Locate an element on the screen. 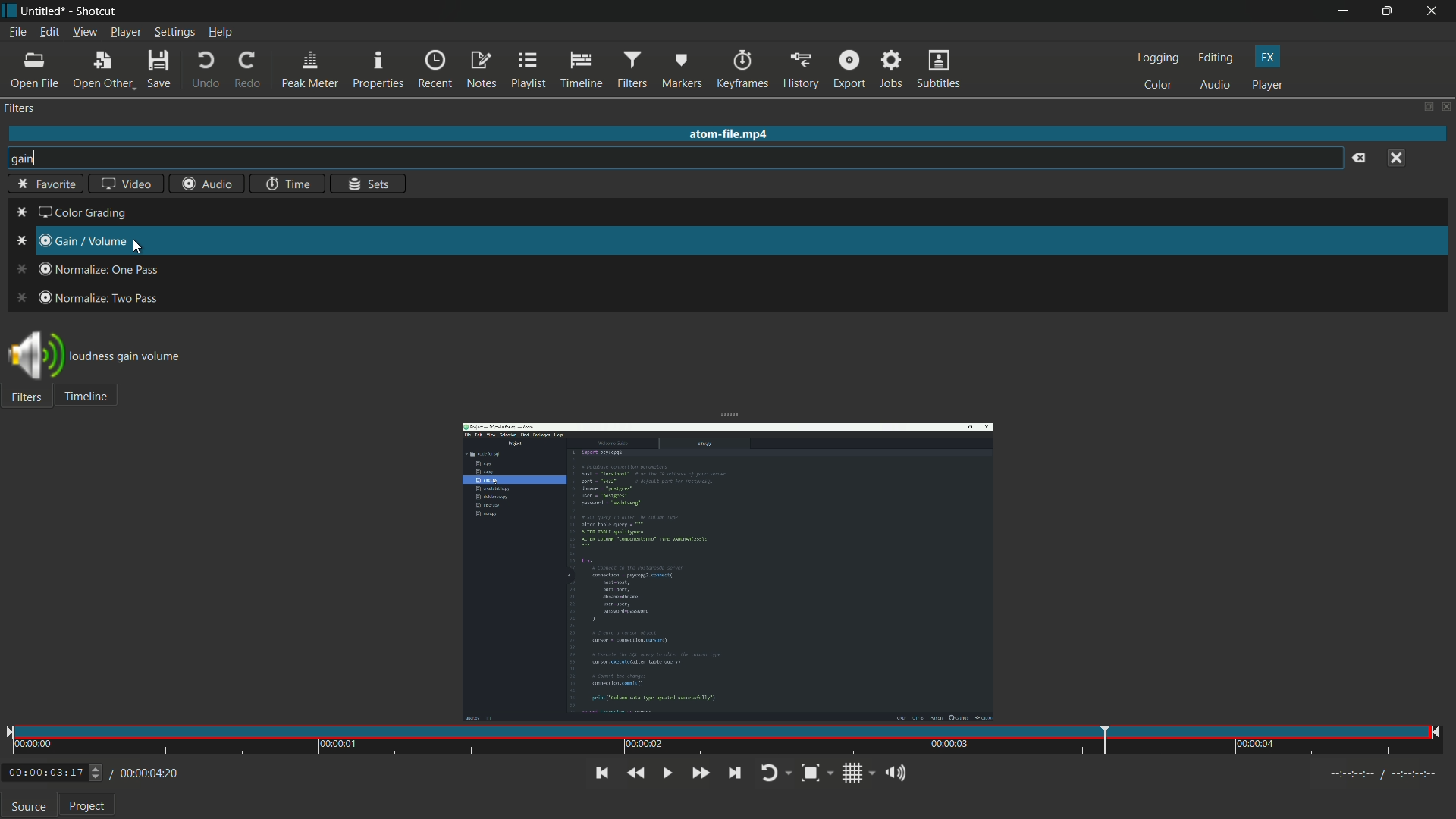 This screenshot has height=819, width=1456. color is located at coordinates (1158, 86).